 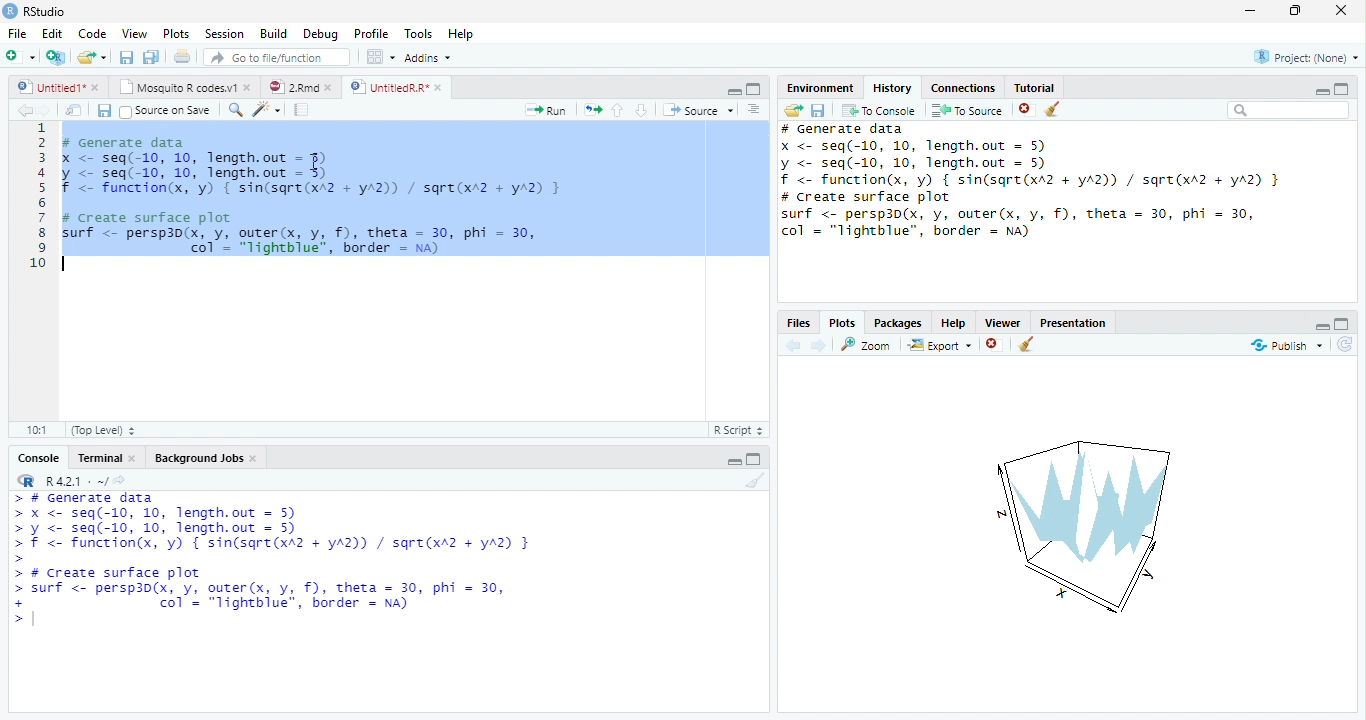 I want to click on Save history into a file, so click(x=818, y=110).